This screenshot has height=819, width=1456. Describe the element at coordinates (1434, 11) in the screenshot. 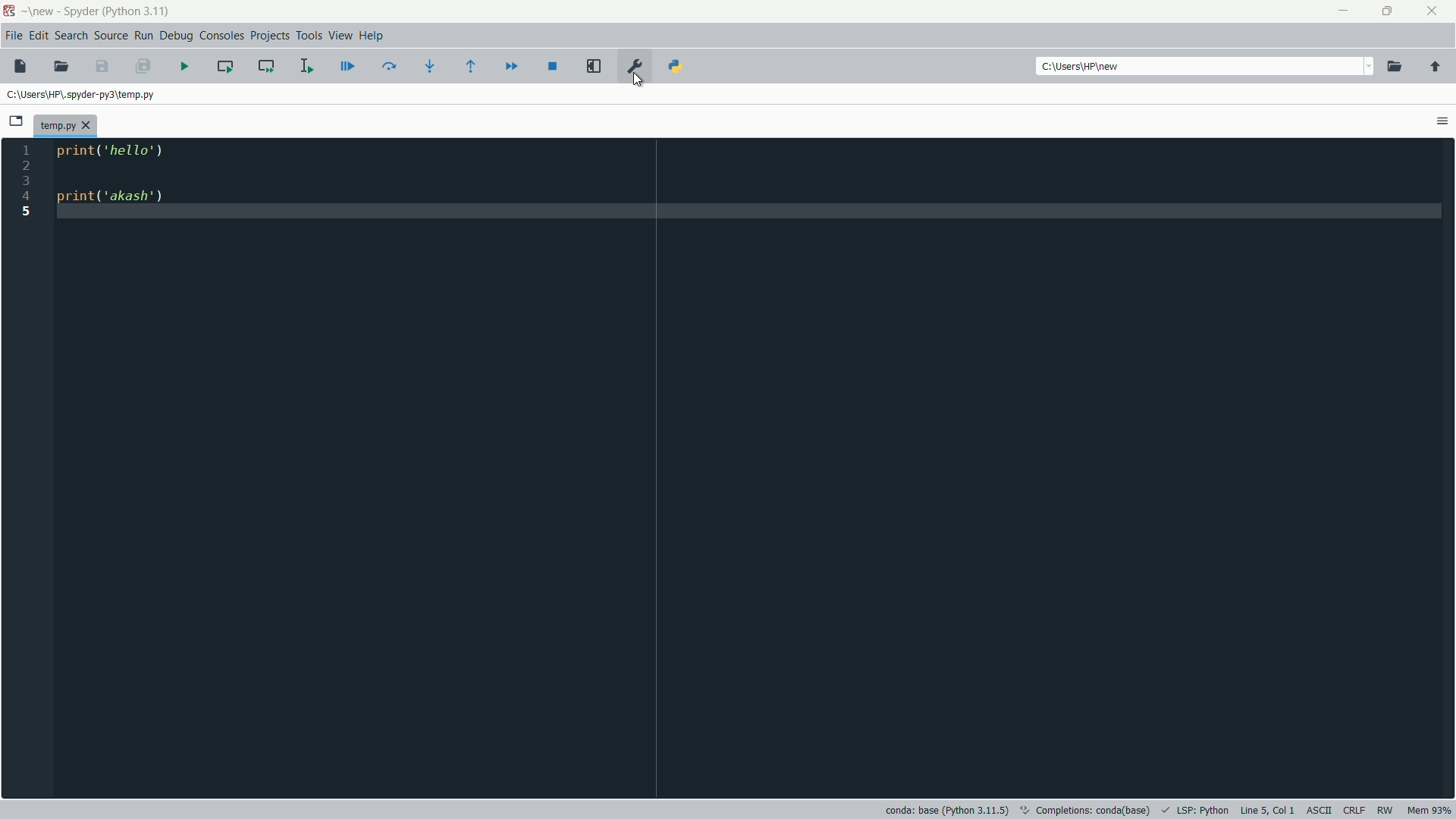

I see `close app` at that location.